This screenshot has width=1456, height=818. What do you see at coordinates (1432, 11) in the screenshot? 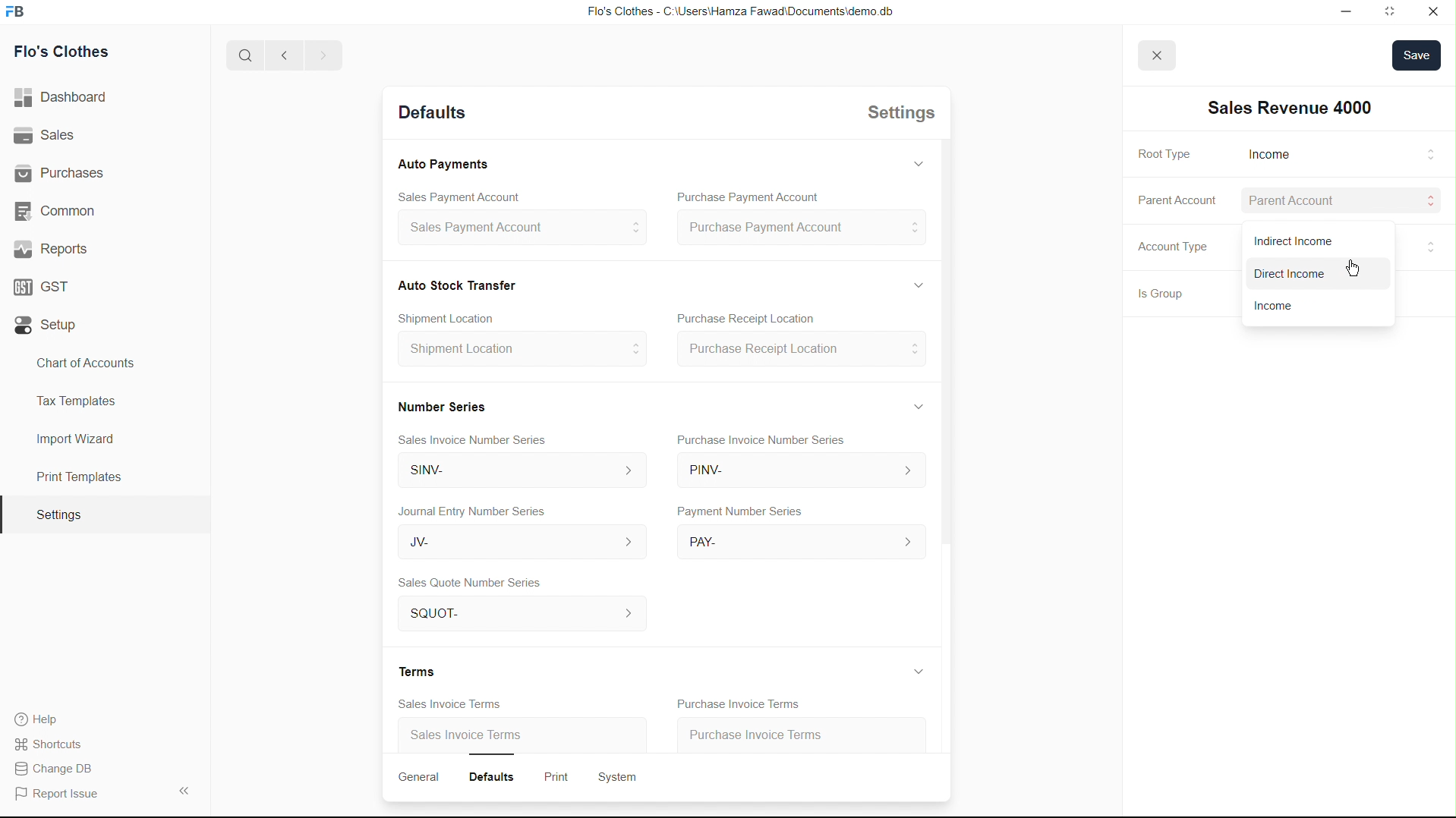
I see `Close` at bounding box center [1432, 11].